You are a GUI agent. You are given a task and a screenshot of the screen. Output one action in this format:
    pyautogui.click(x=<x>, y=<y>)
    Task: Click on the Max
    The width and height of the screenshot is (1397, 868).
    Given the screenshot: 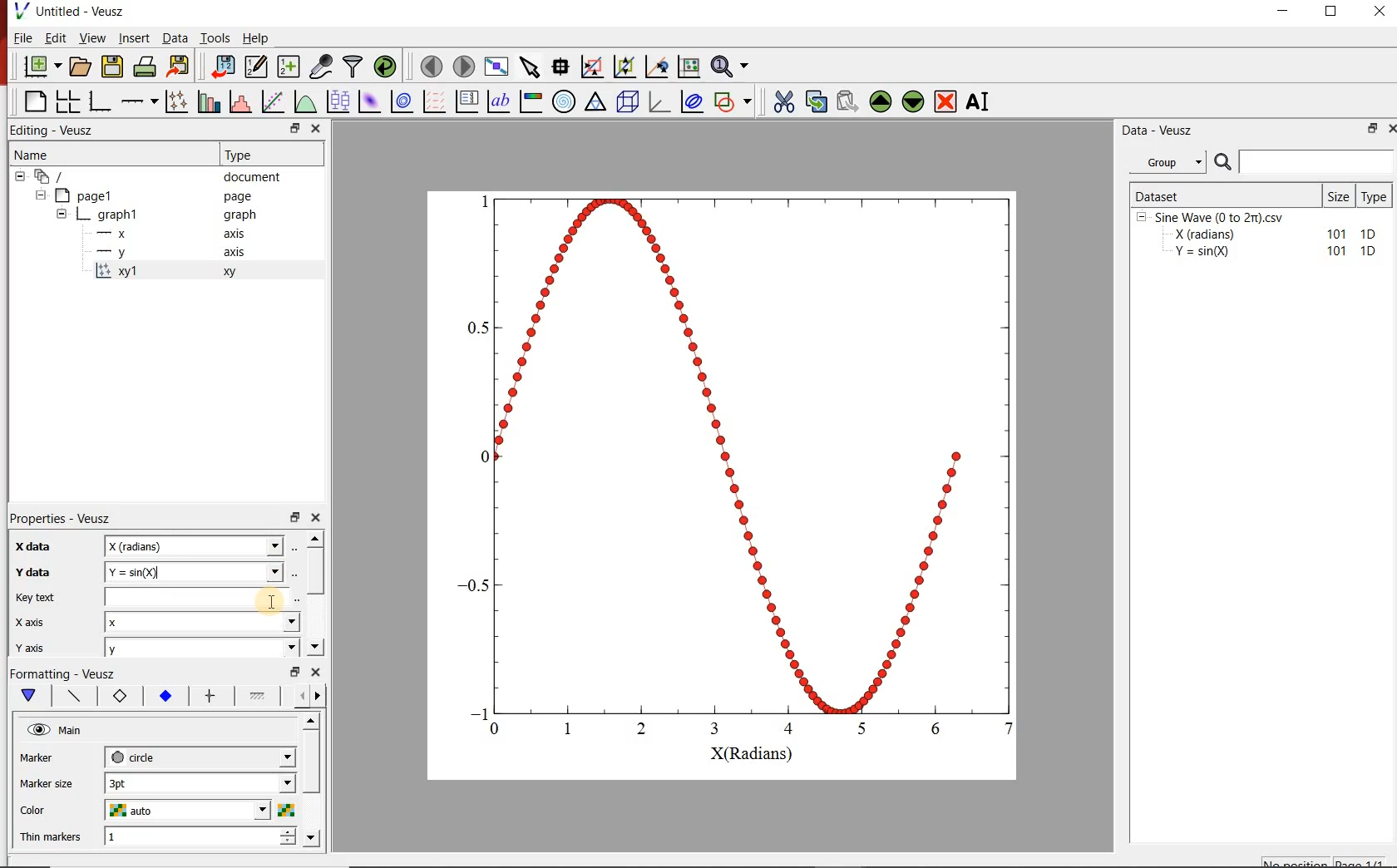 What is the action you would take?
    pyautogui.click(x=37, y=595)
    